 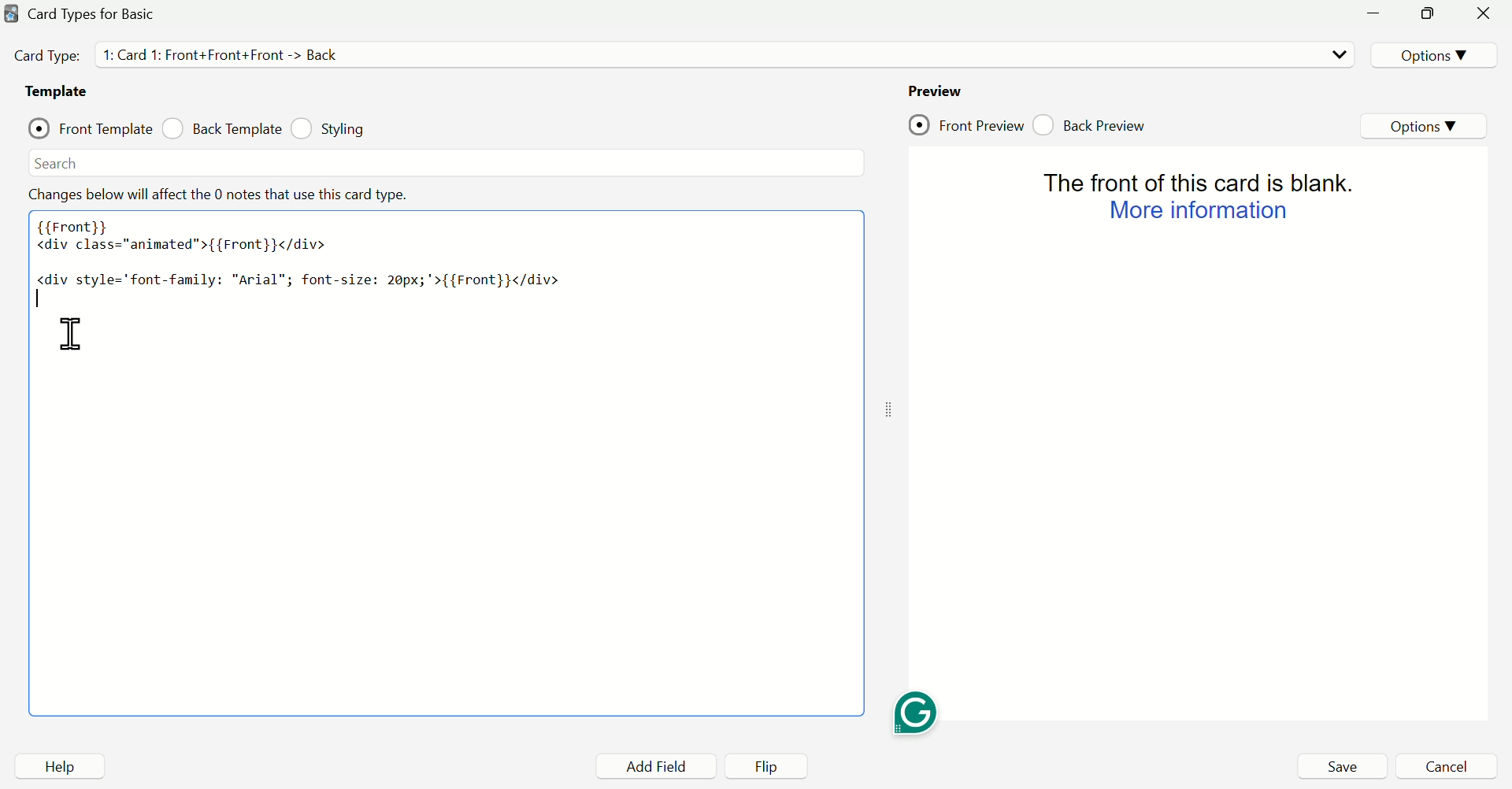 I want to click on Card Type, so click(x=48, y=55).